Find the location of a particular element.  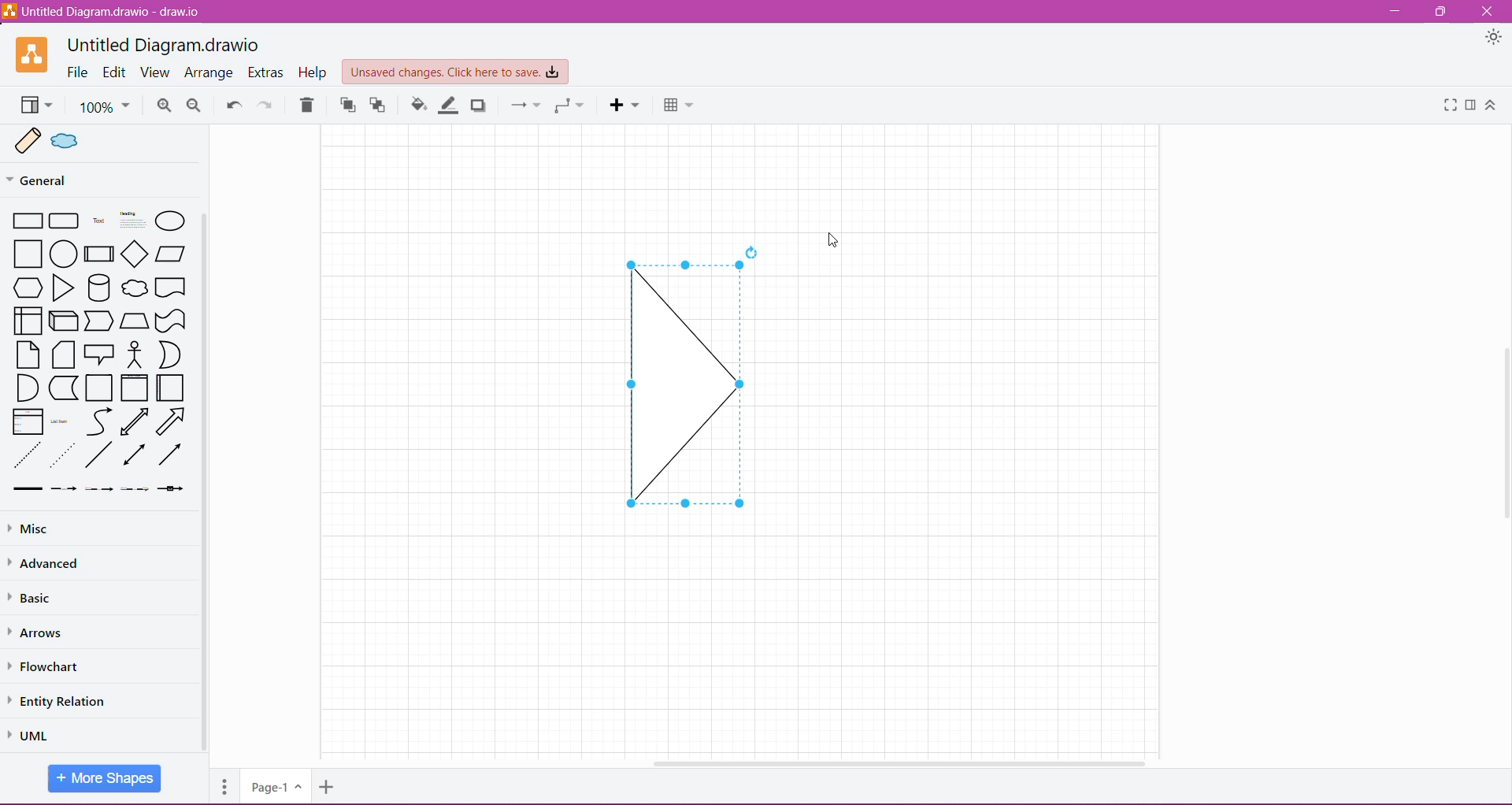

Application Logo is located at coordinates (34, 55).